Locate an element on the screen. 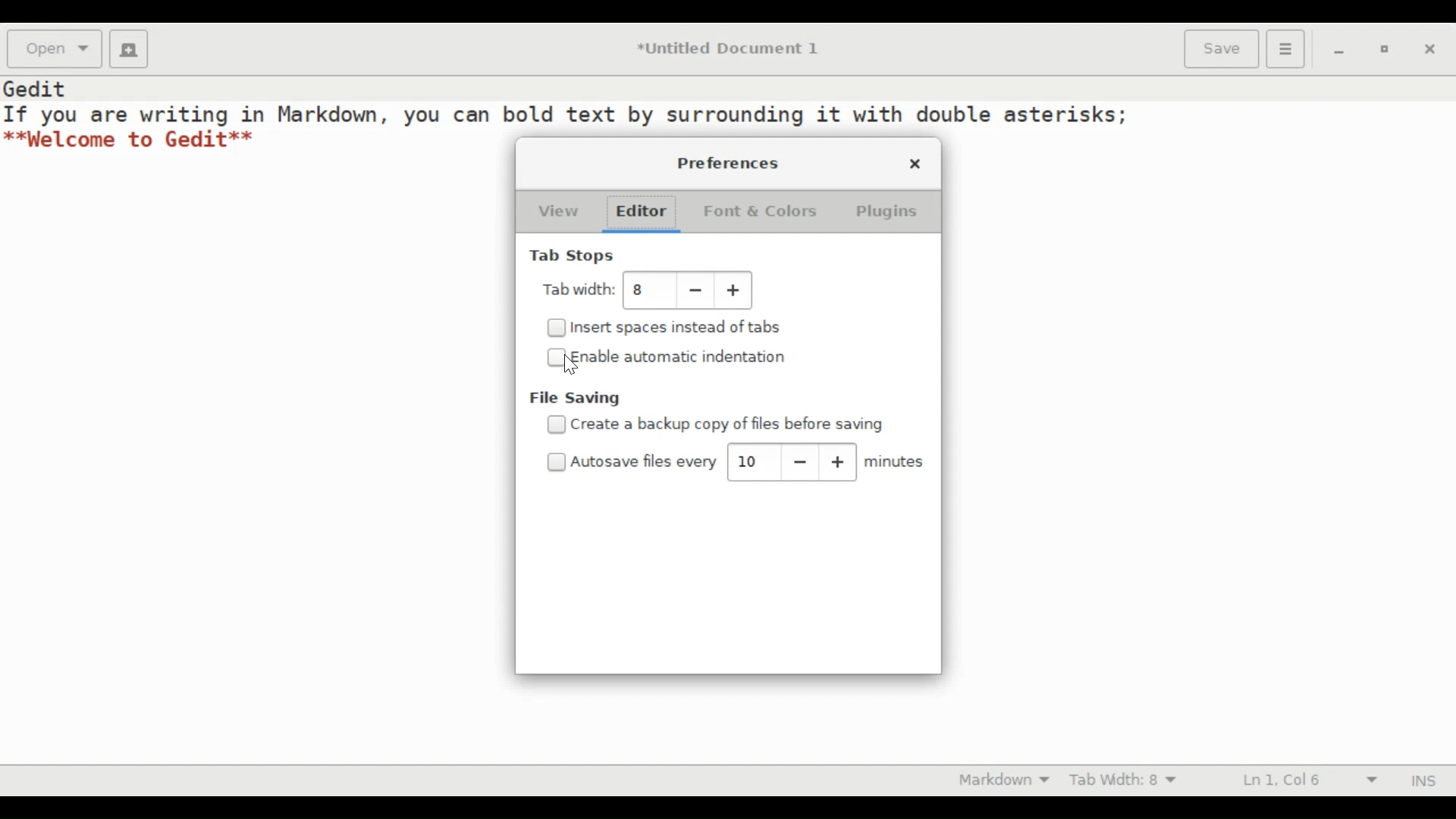 This screenshot has width=1456, height=819. decrease autosave value is located at coordinates (799, 462).